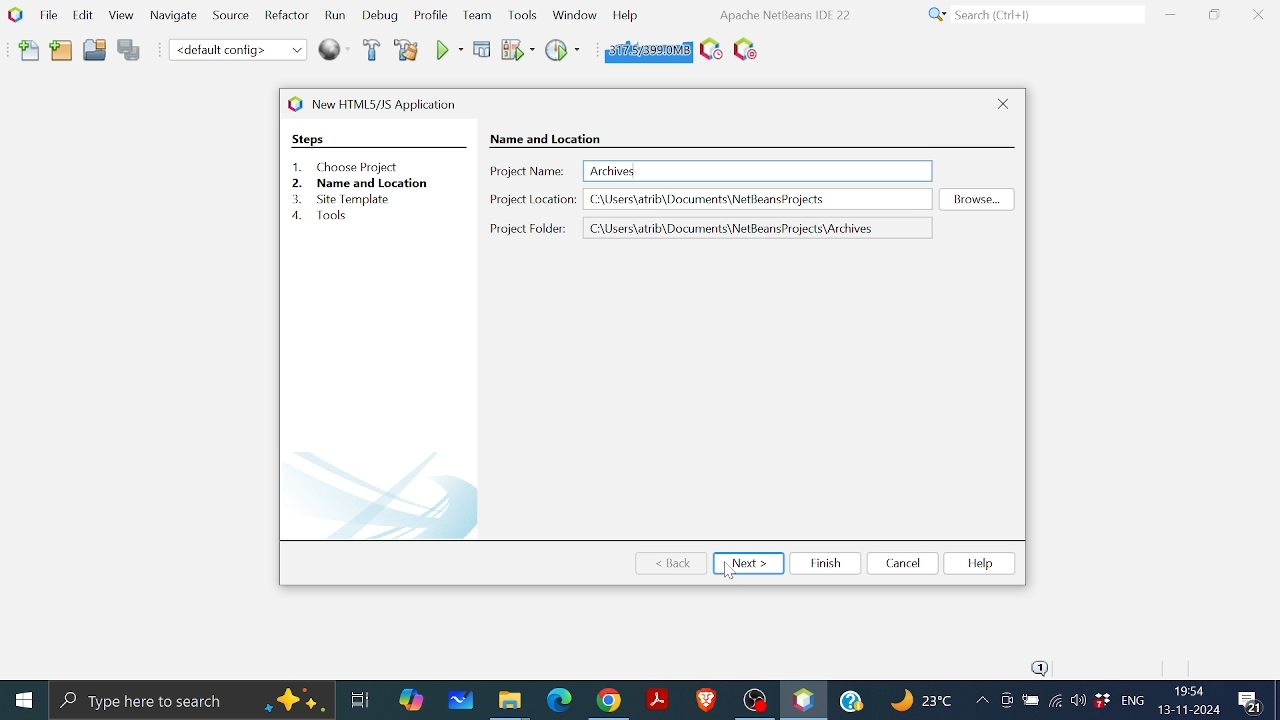  Describe the element at coordinates (901, 563) in the screenshot. I see `Cancel` at that location.